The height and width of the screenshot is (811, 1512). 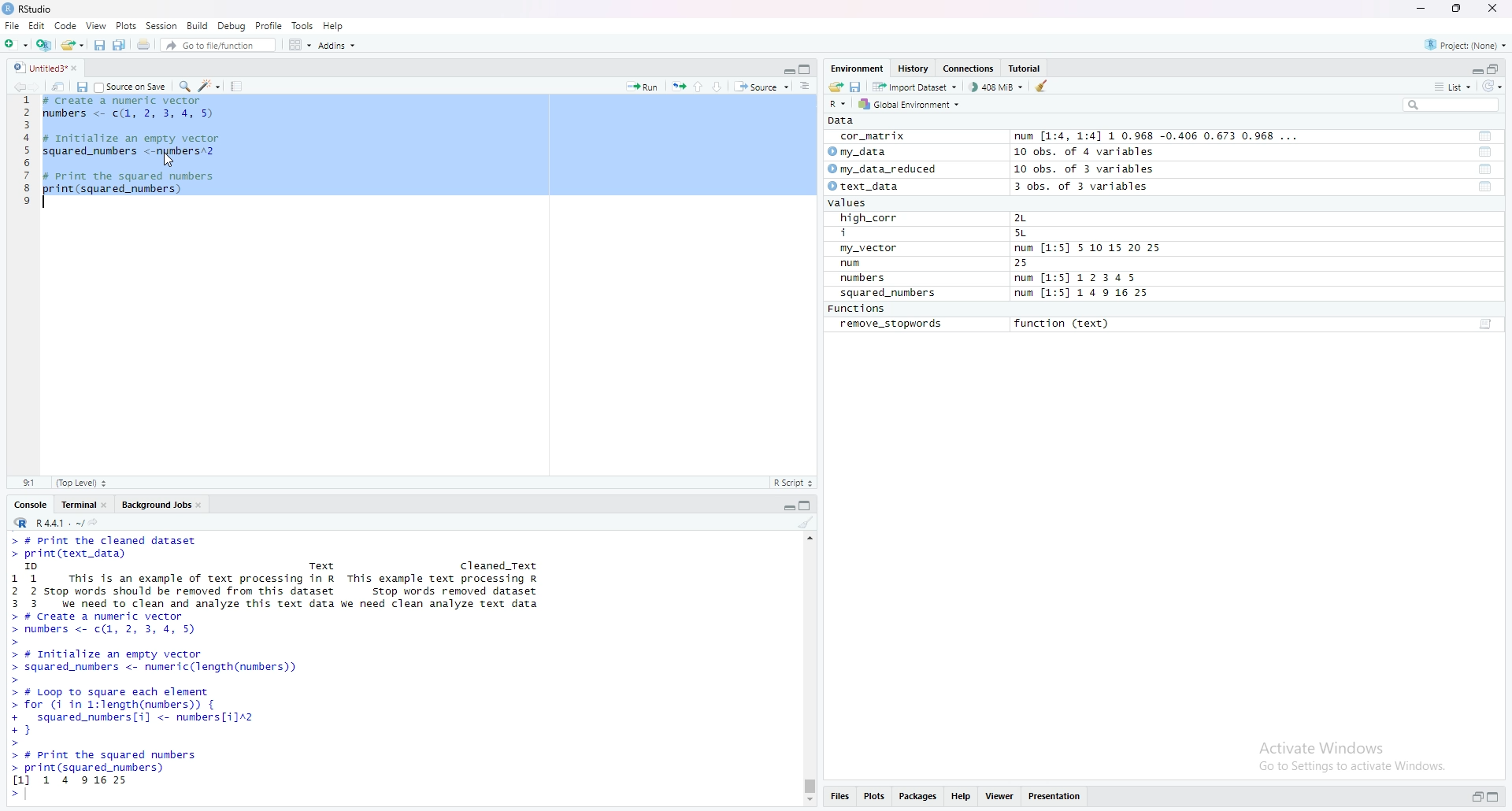 I want to click on Tools, so click(x=303, y=25).